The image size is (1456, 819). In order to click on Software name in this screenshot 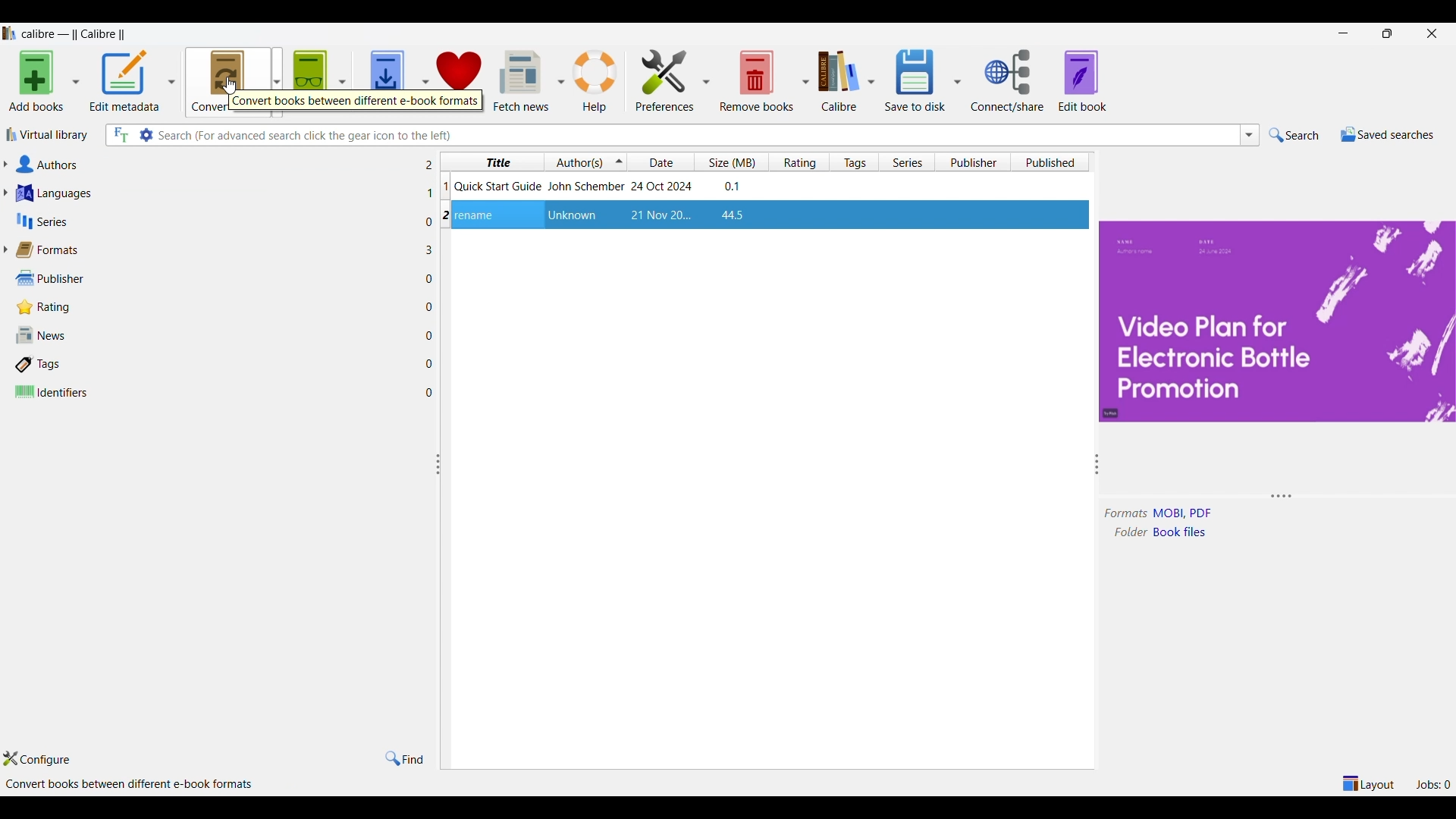, I will do `click(77, 36)`.